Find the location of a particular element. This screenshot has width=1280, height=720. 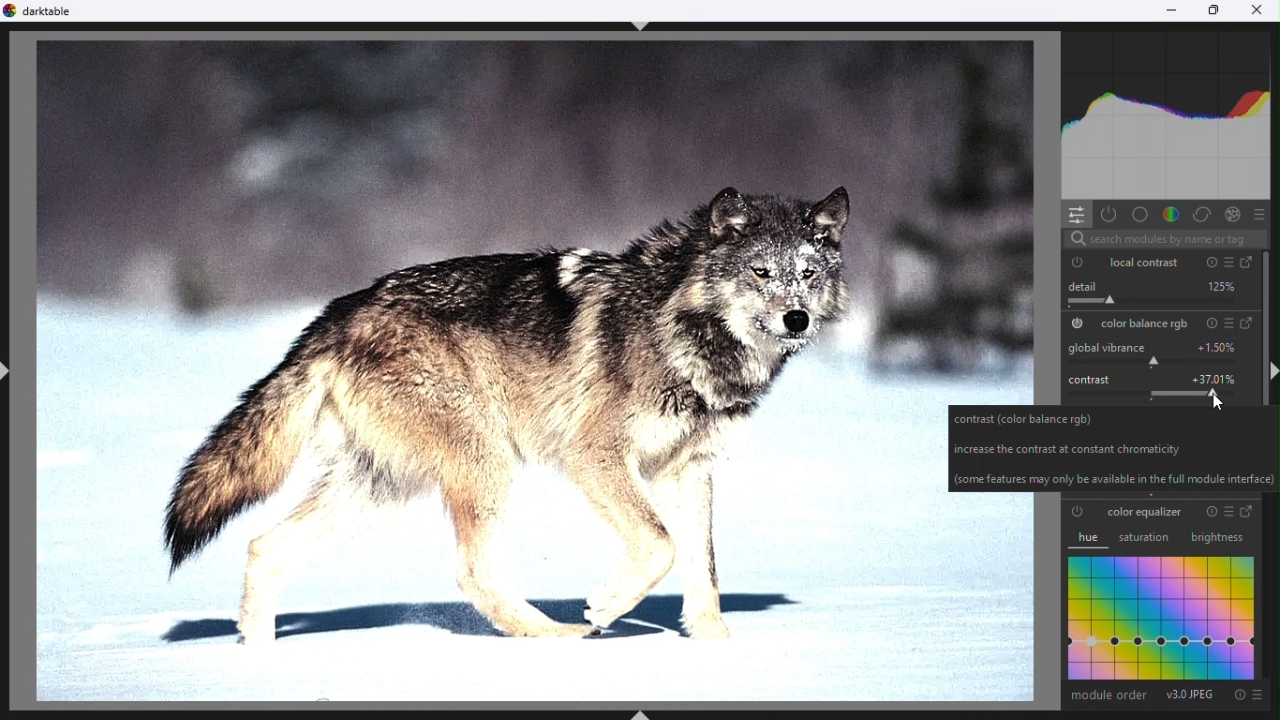

contrast slider (after value increased to 37.01%) is located at coordinates (1143, 386).